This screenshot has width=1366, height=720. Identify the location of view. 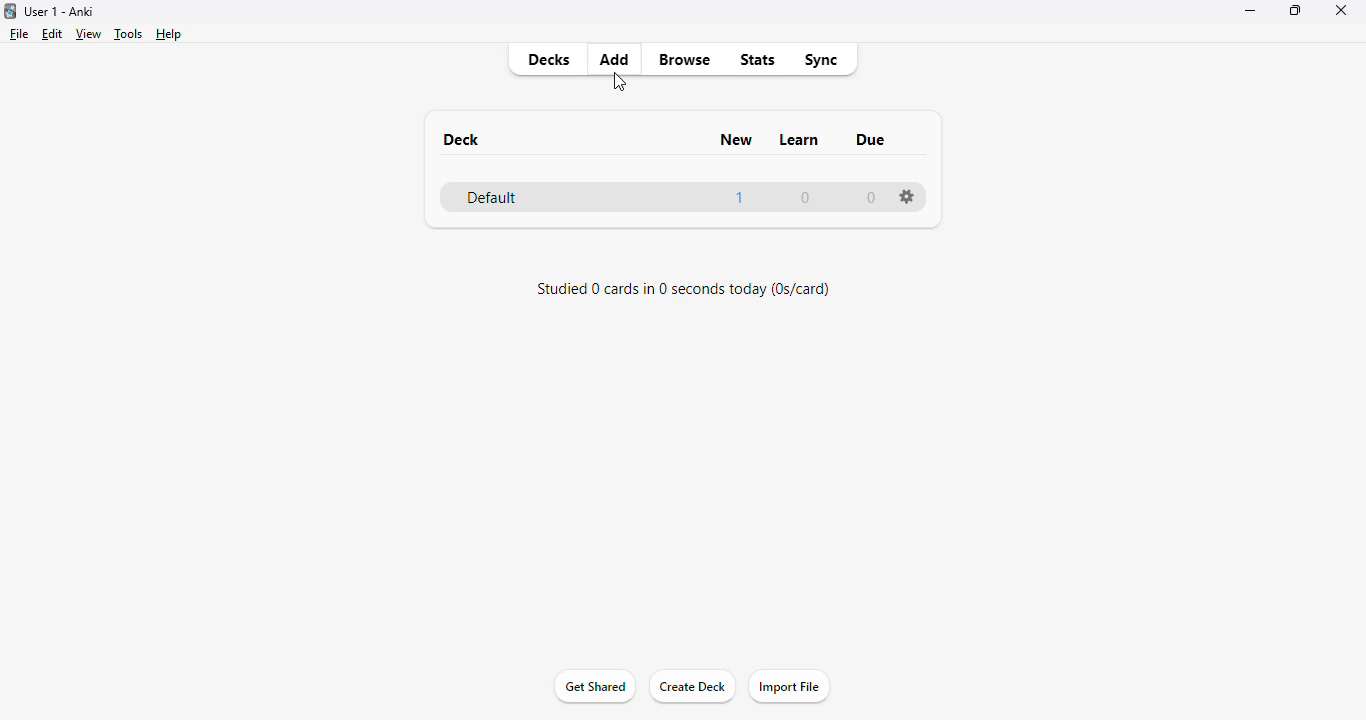
(89, 33).